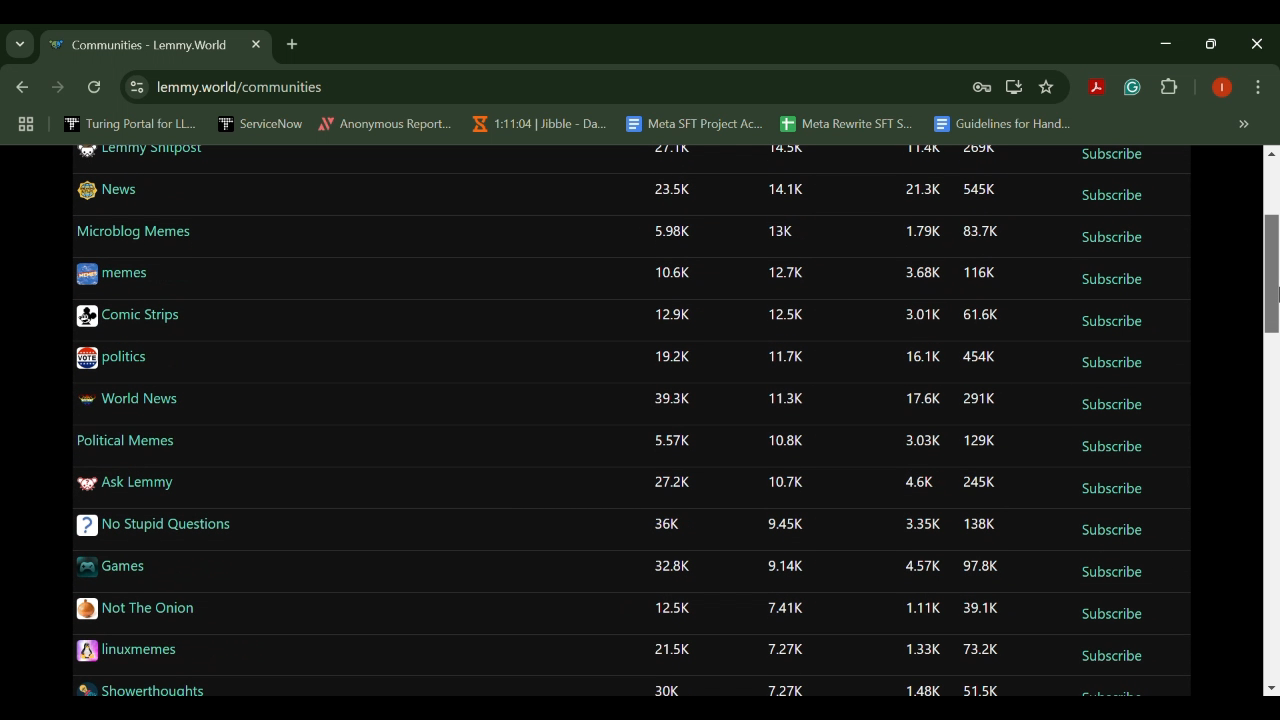 The width and height of the screenshot is (1280, 720). Describe the element at coordinates (1258, 44) in the screenshot. I see `Close Window` at that location.